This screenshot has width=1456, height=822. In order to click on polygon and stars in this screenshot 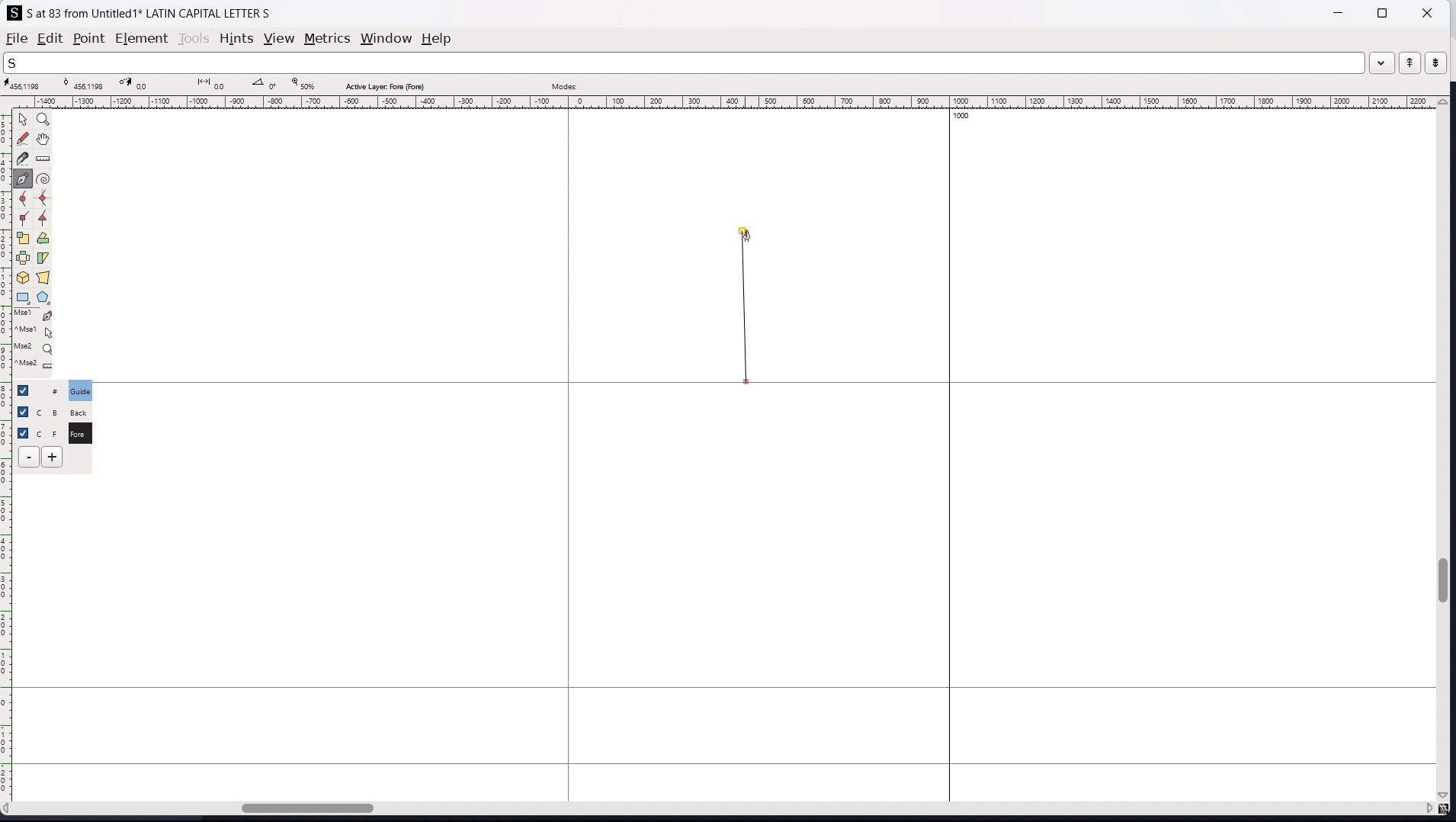, I will do `click(44, 298)`.